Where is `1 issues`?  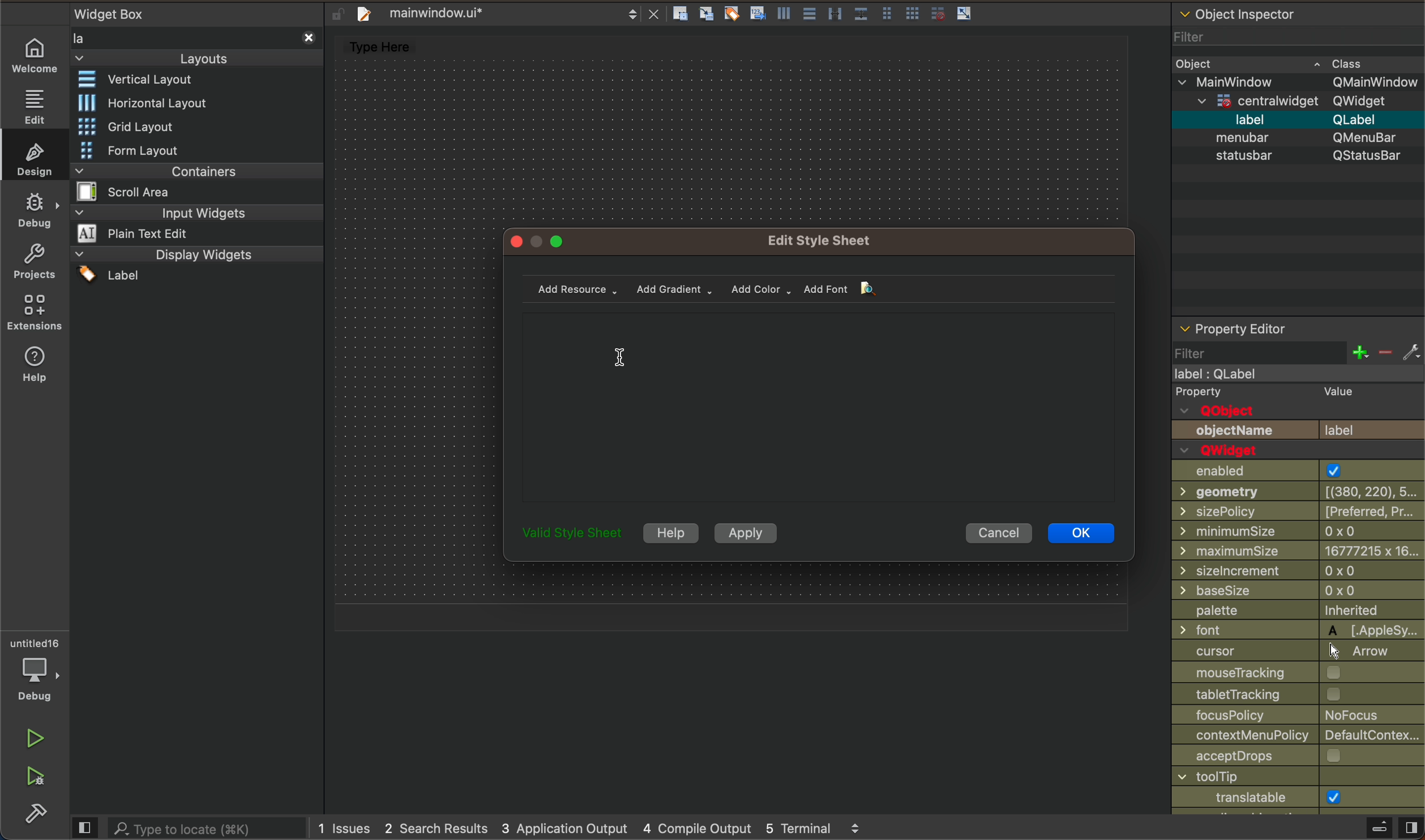
1 issues is located at coordinates (343, 826).